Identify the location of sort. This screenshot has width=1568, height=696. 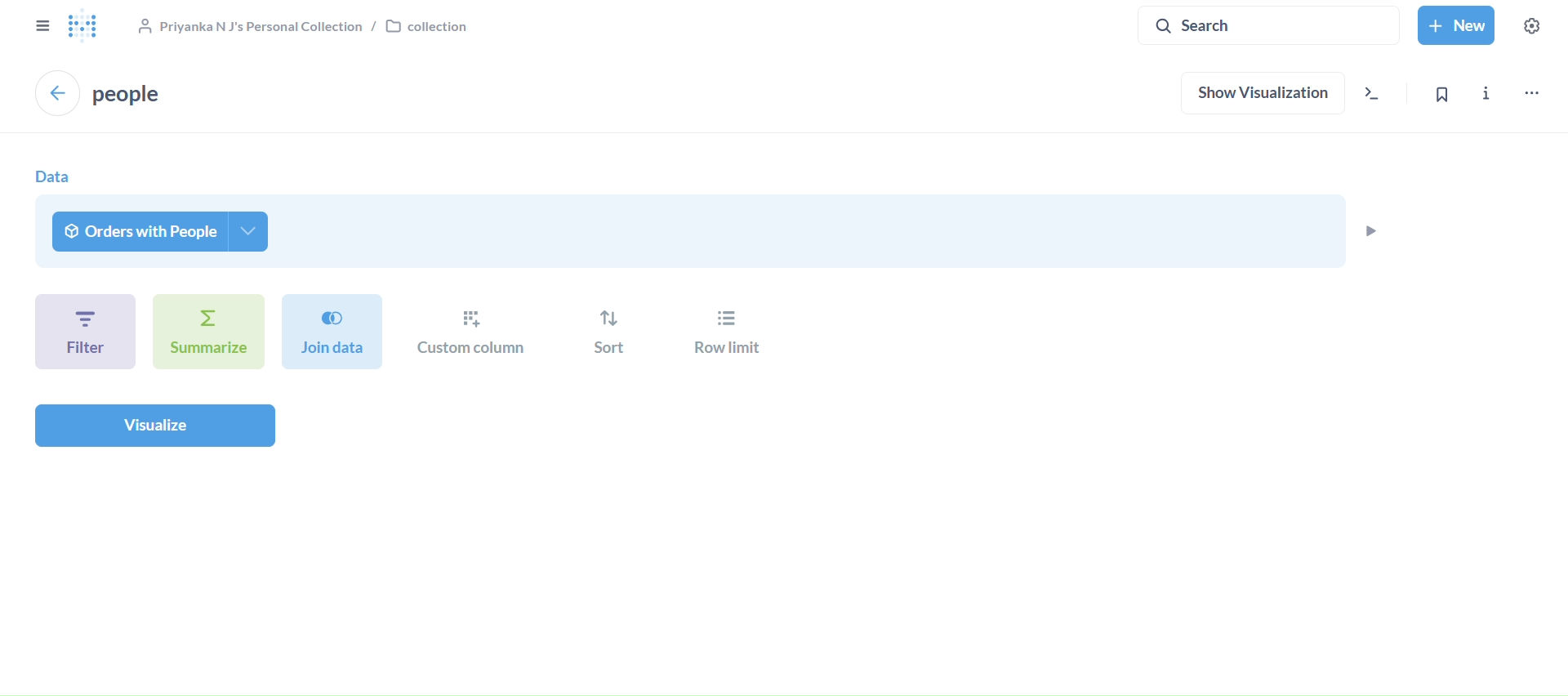
(609, 333).